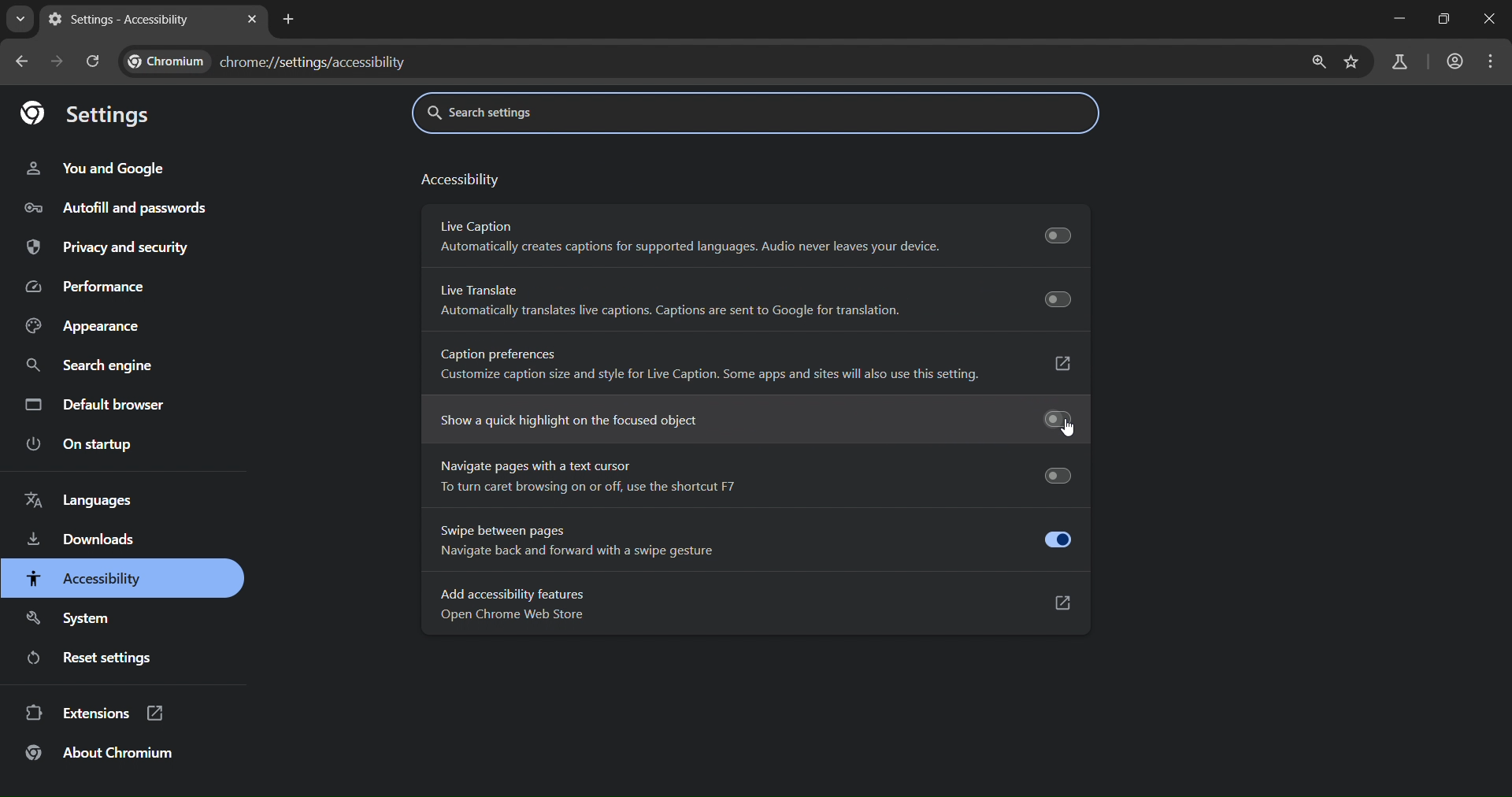 This screenshot has height=797, width=1512. I want to click on accessibility, so click(462, 178).